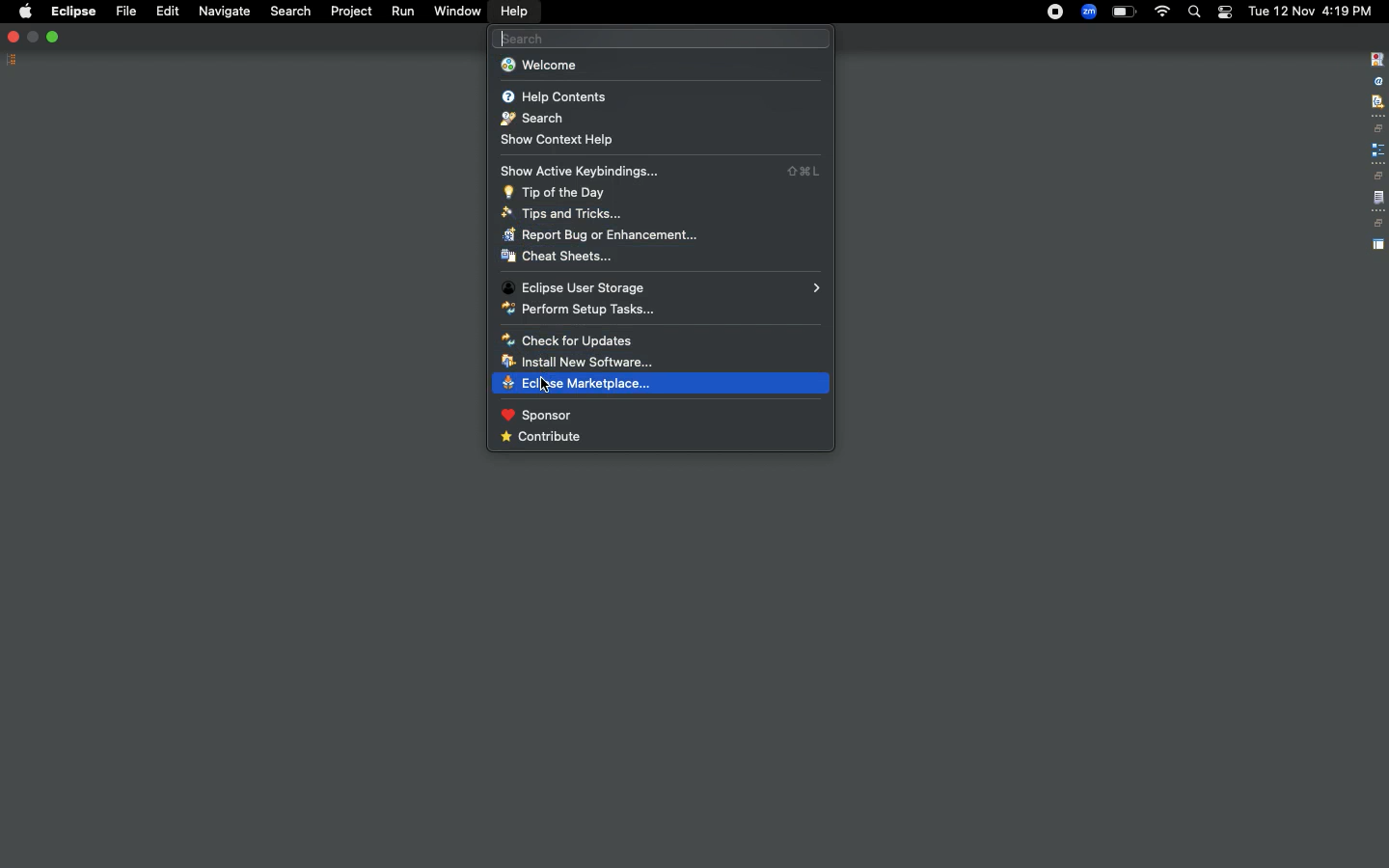 This screenshot has height=868, width=1389. I want to click on window, so click(456, 12).